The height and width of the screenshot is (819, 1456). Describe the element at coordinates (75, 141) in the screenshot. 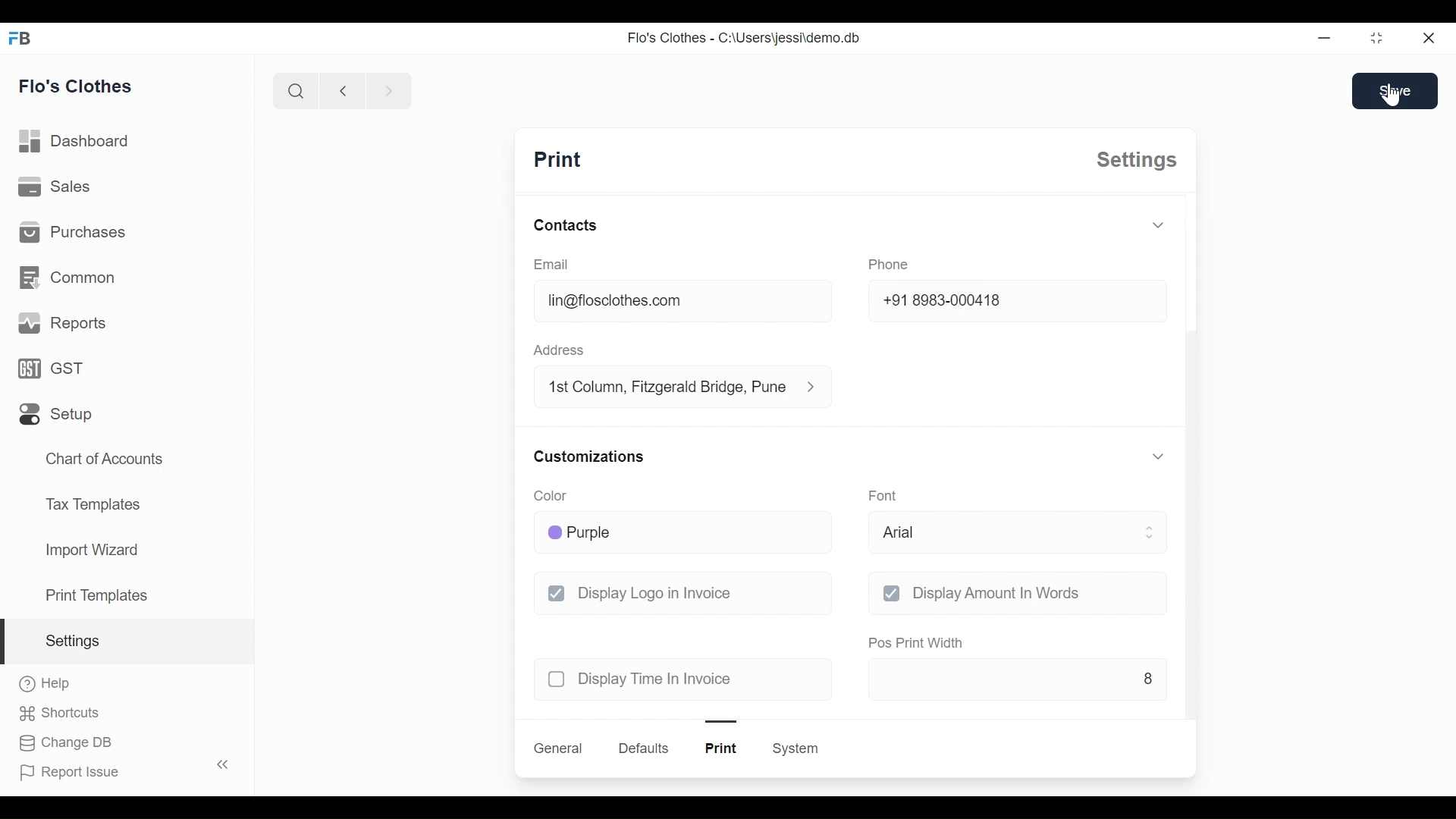

I see `dashboard` at that location.